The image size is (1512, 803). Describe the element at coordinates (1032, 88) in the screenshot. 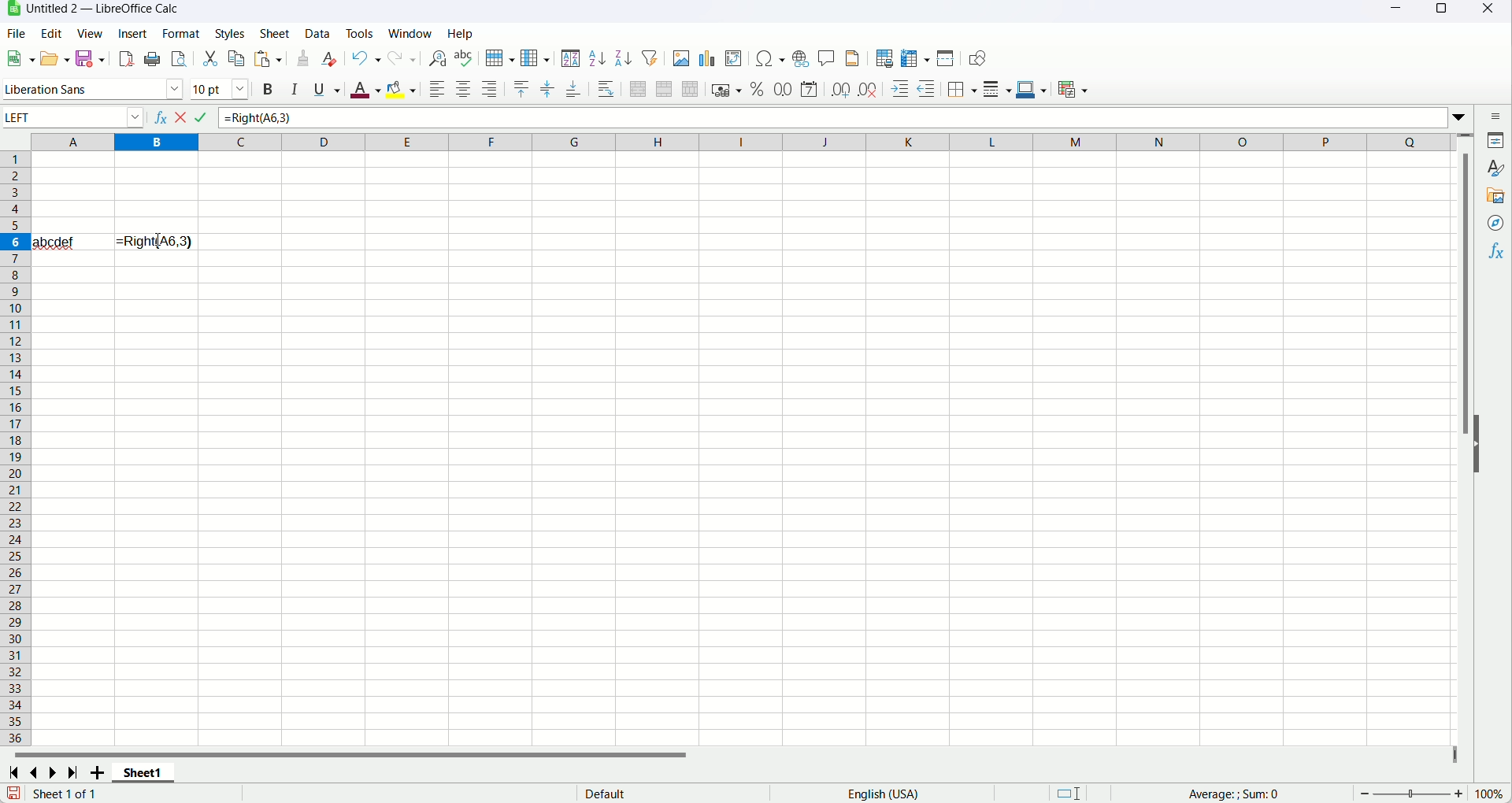

I see `border color` at that location.